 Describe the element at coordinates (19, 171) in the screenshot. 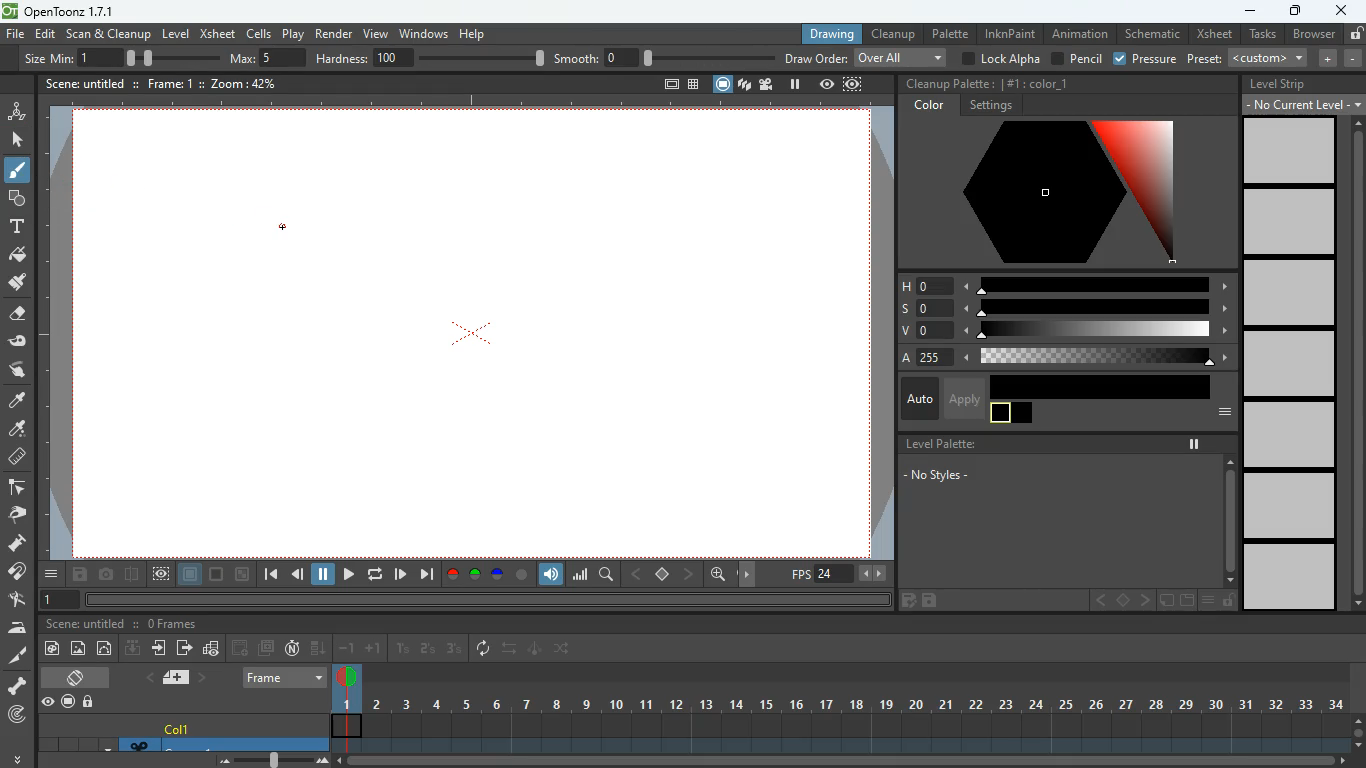

I see `brush` at that location.